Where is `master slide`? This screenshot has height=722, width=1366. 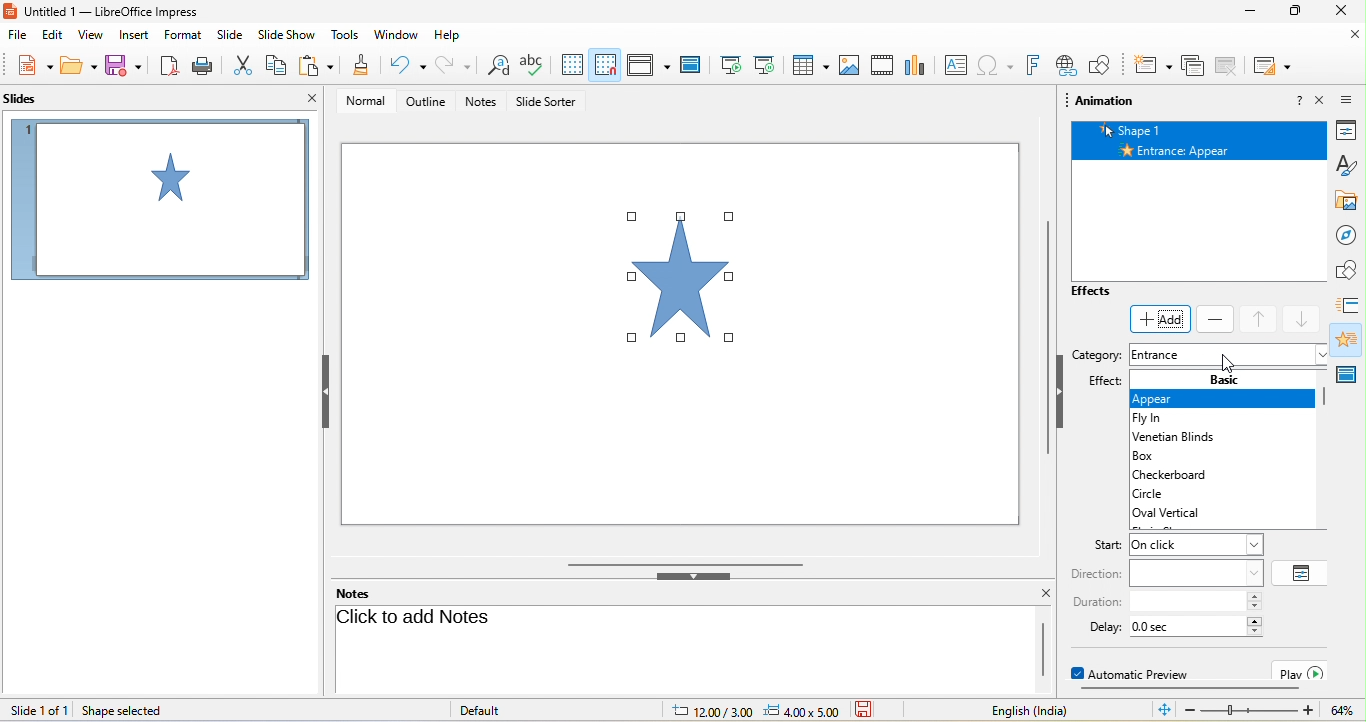
master slide is located at coordinates (692, 65).